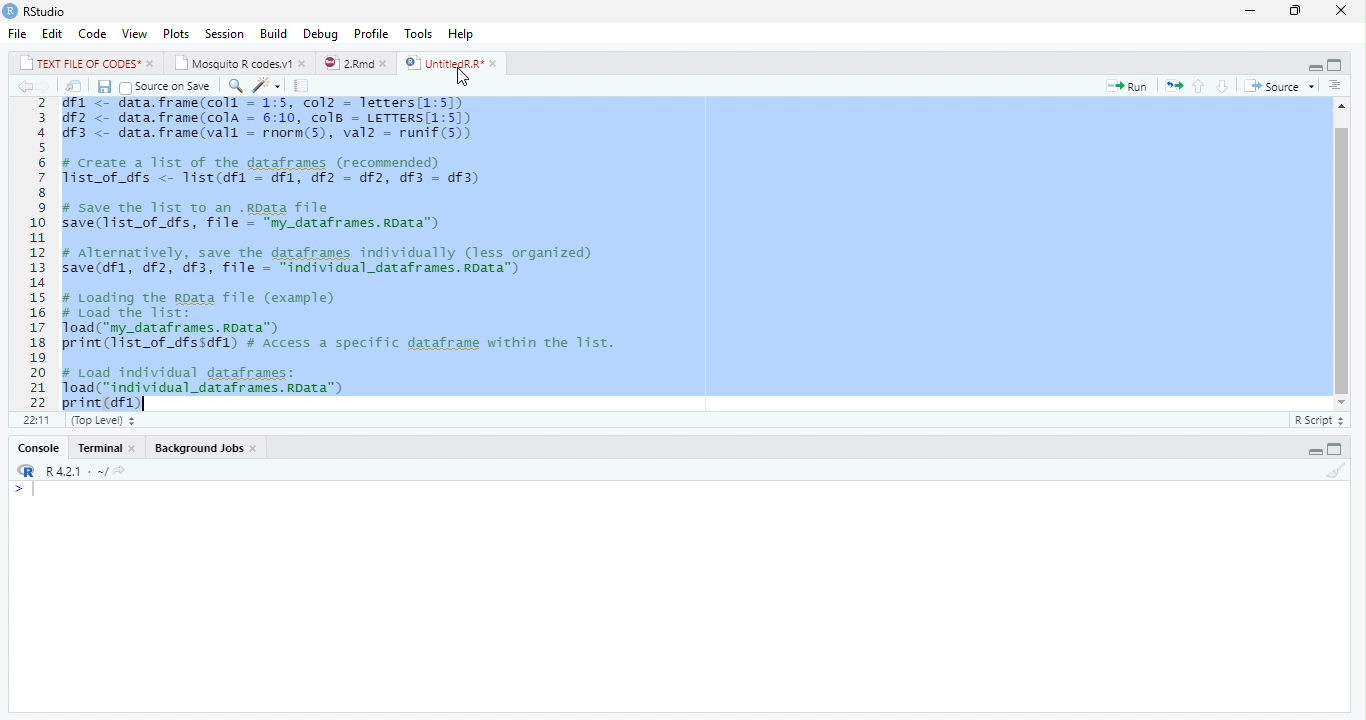 This screenshot has height=720, width=1366. I want to click on Outline, so click(1335, 86).